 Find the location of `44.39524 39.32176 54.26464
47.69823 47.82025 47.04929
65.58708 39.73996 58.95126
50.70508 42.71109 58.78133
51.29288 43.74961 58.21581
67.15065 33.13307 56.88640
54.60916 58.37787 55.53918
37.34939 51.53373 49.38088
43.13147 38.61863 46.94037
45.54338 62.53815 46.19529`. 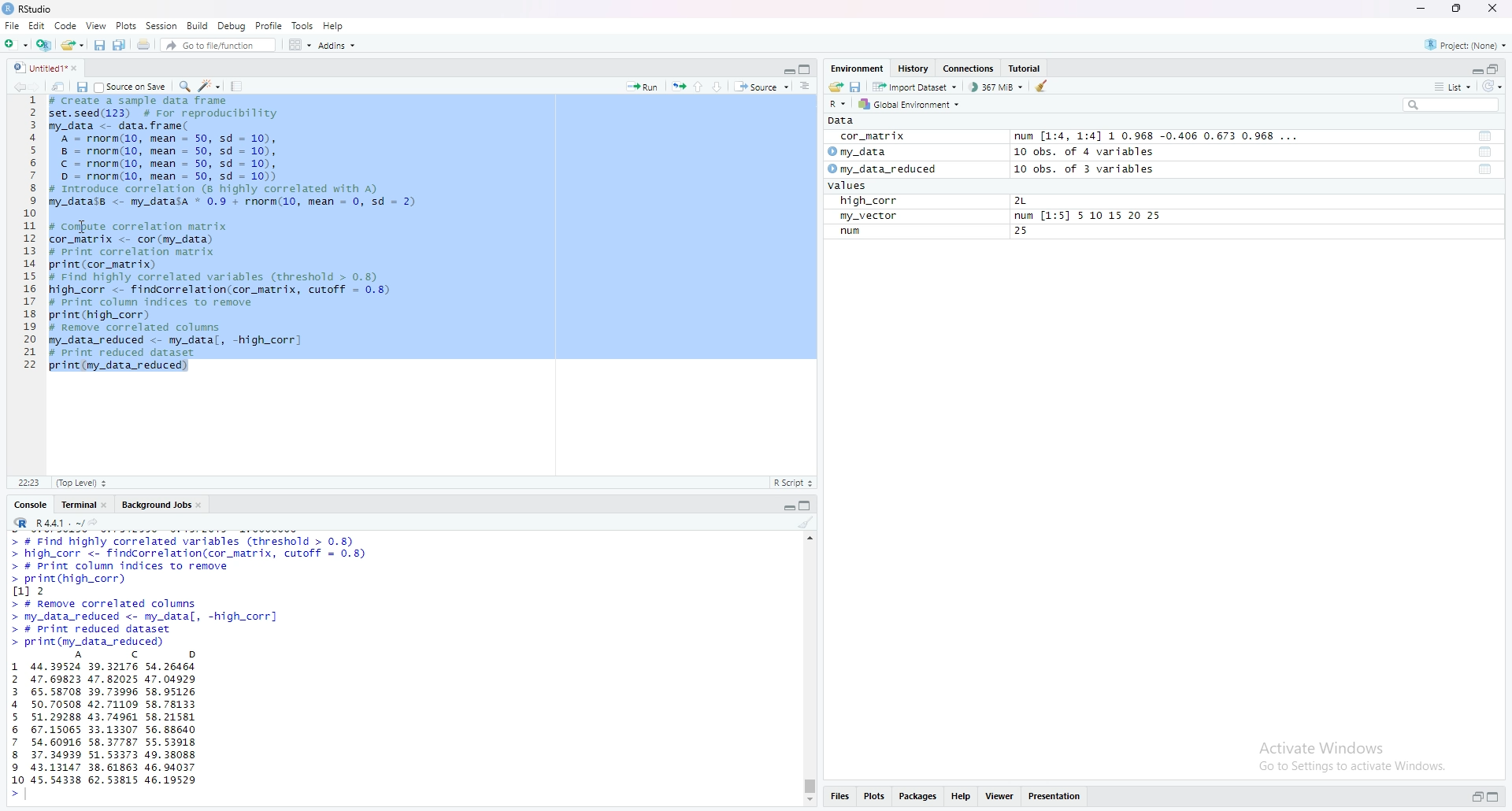

44.39524 39.32176 54.26464
47.69823 47.82025 47.04929
65.58708 39.73996 58.95126
50.70508 42.71109 58.78133
51.29288 43.74961 58.21581
67.15065 33.13307 56.88640
54.60916 58.37787 55.53918
37.34939 51.53373 49.38088
43.13147 38.61863 46.94037
45.54338 62.53815 46.19529 is located at coordinates (116, 724).